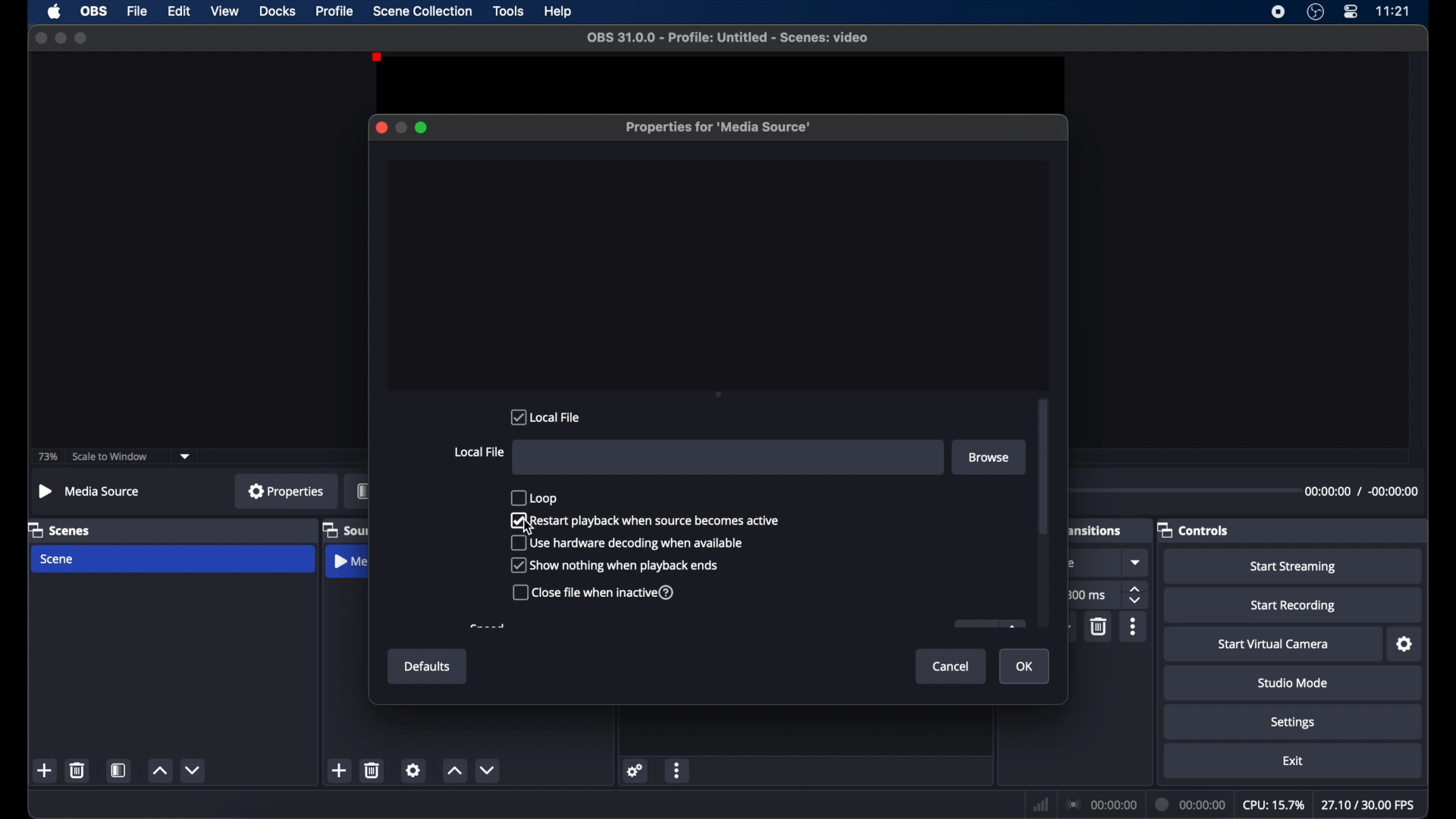 The height and width of the screenshot is (819, 1456). Describe the element at coordinates (728, 38) in the screenshot. I see `file name` at that location.